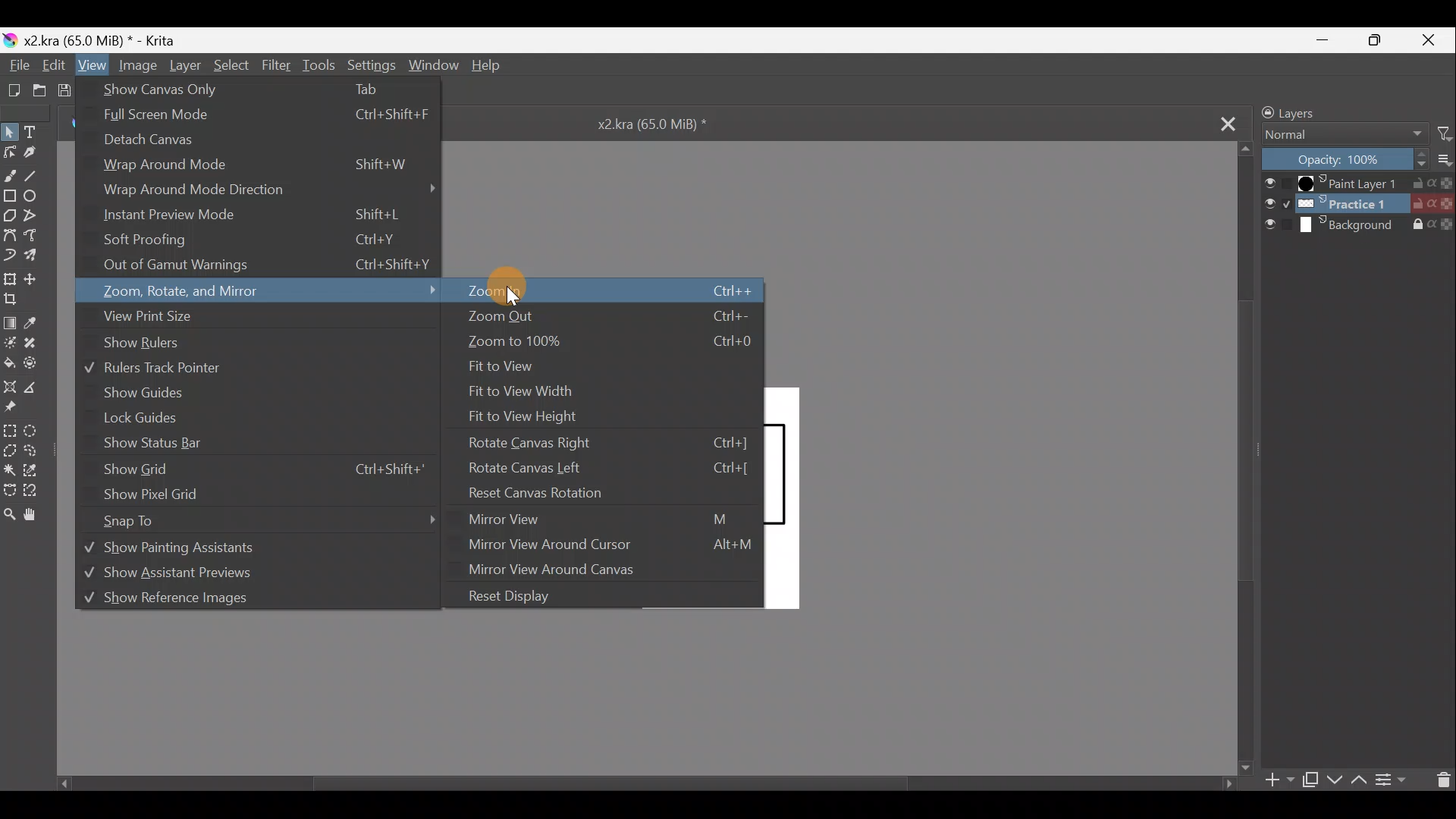 This screenshot has height=819, width=1456. What do you see at coordinates (9, 234) in the screenshot?
I see `Bezier curve tool` at bounding box center [9, 234].